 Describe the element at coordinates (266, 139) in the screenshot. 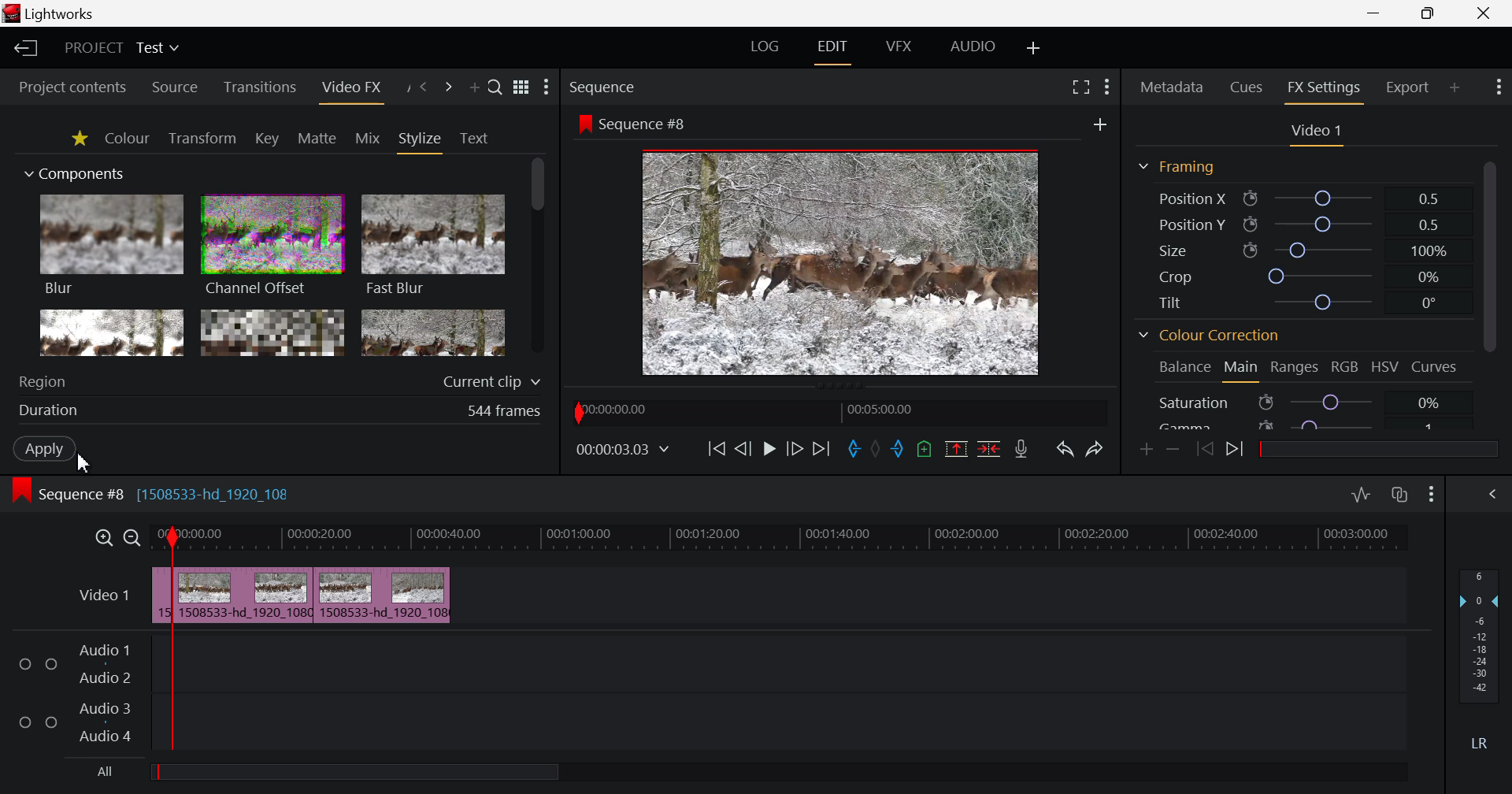

I see `Key` at that location.